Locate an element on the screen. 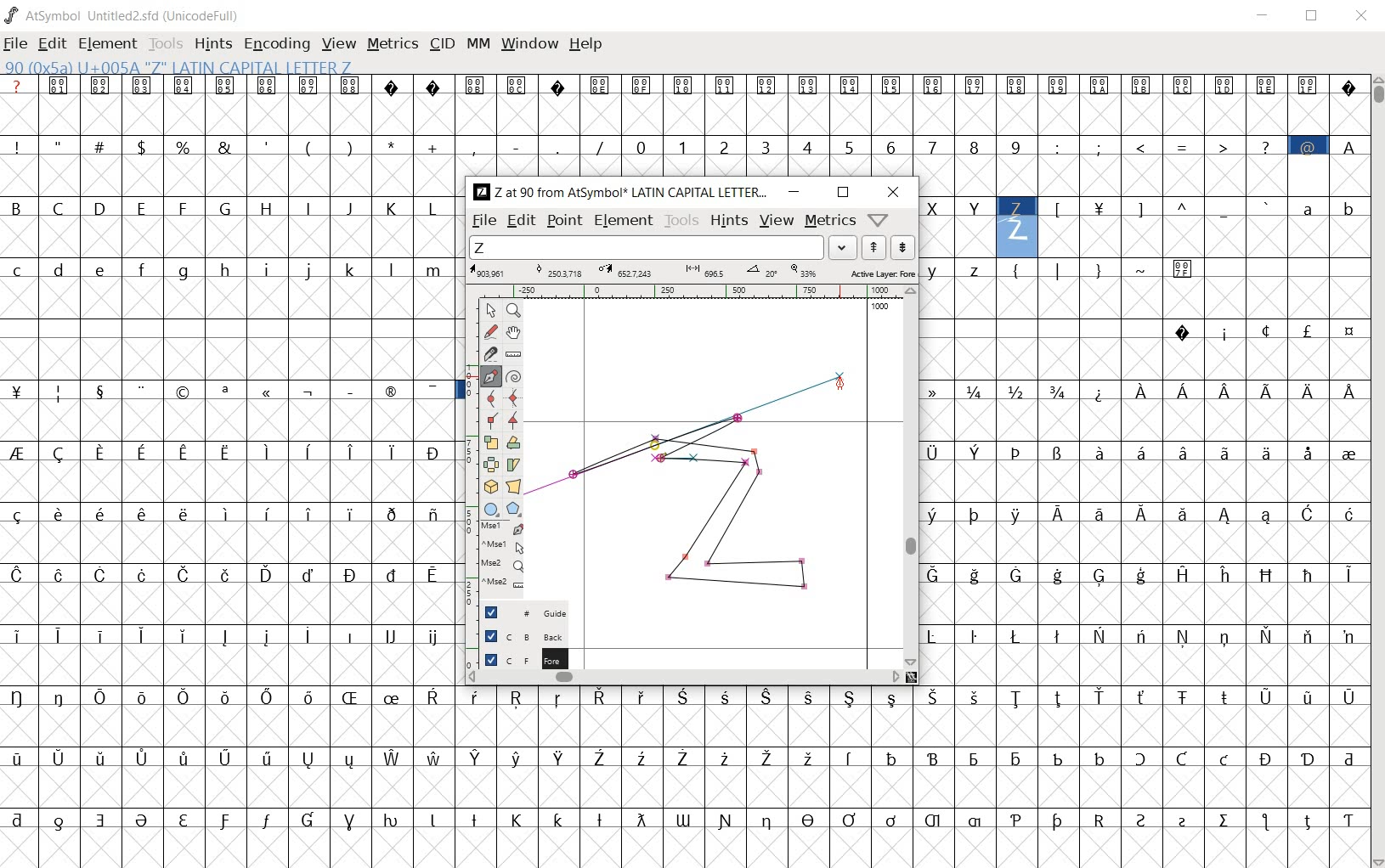 Image resolution: width=1385 pixels, height=868 pixels. metrics is located at coordinates (394, 45).